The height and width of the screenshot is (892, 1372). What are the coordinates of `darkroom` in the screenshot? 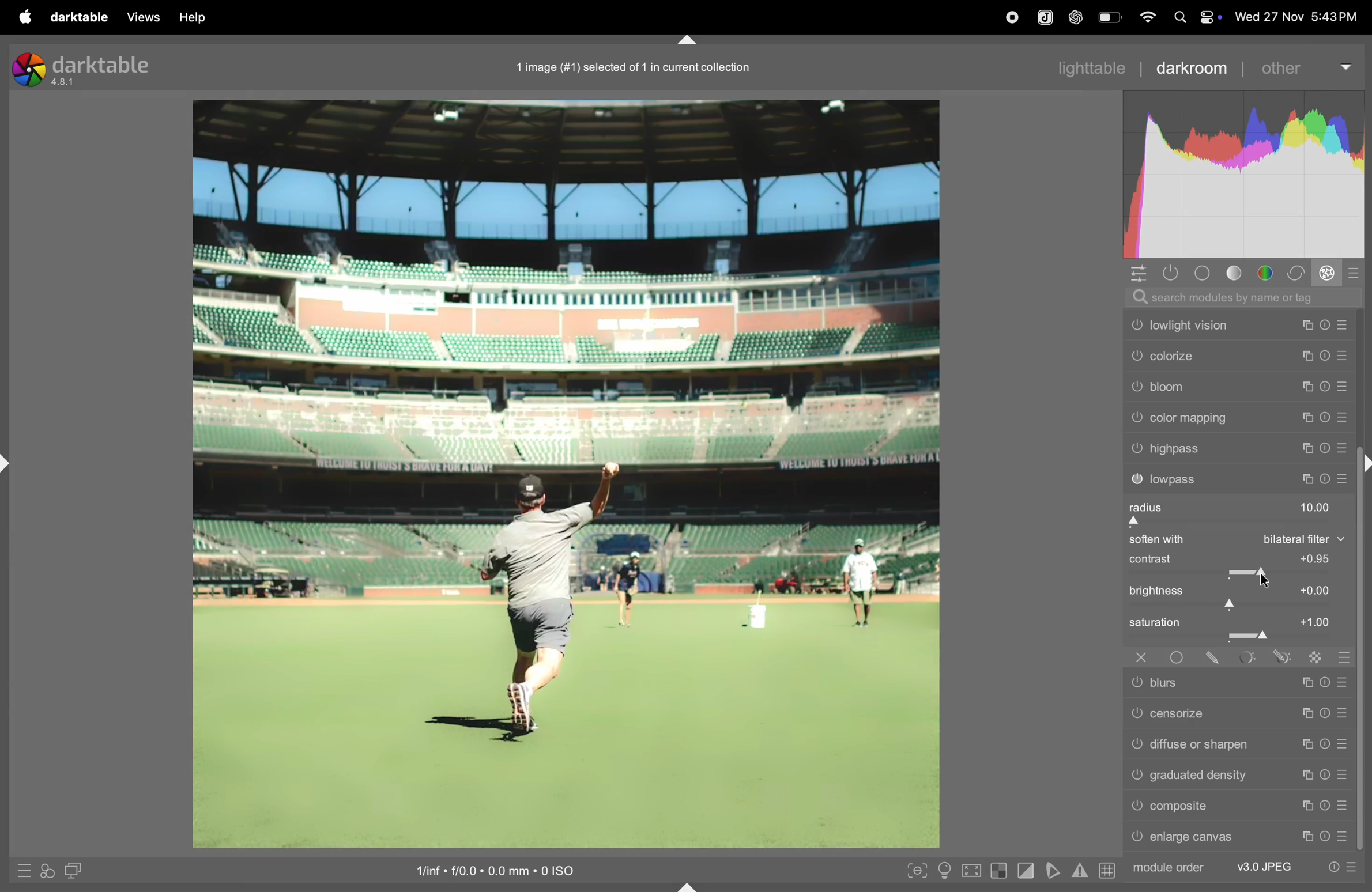 It's located at (1190, 67).